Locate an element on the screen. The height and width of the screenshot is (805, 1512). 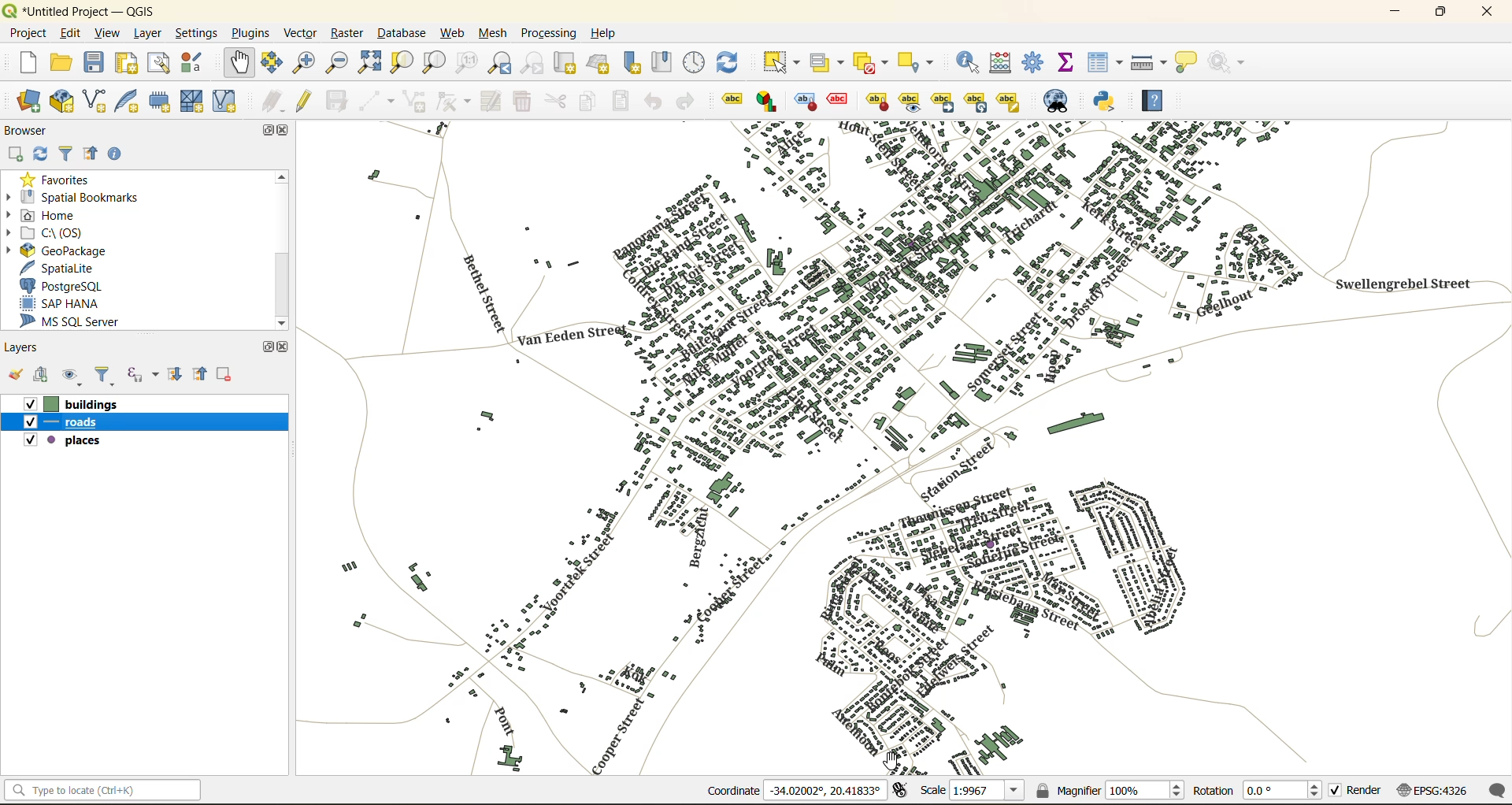
modify is located at coordinates (494, 103).